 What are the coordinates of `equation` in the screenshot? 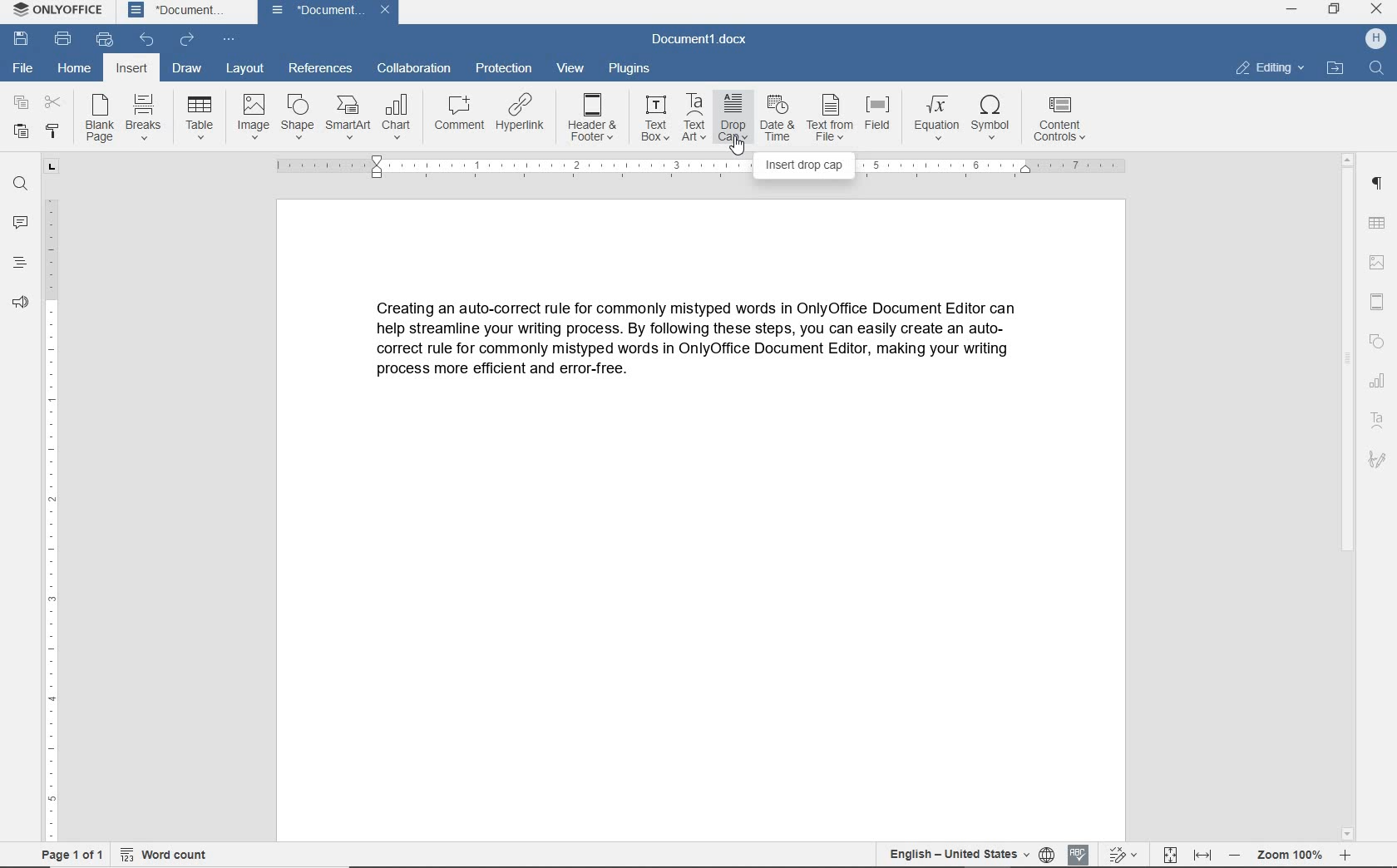 It's located at (934, 119).